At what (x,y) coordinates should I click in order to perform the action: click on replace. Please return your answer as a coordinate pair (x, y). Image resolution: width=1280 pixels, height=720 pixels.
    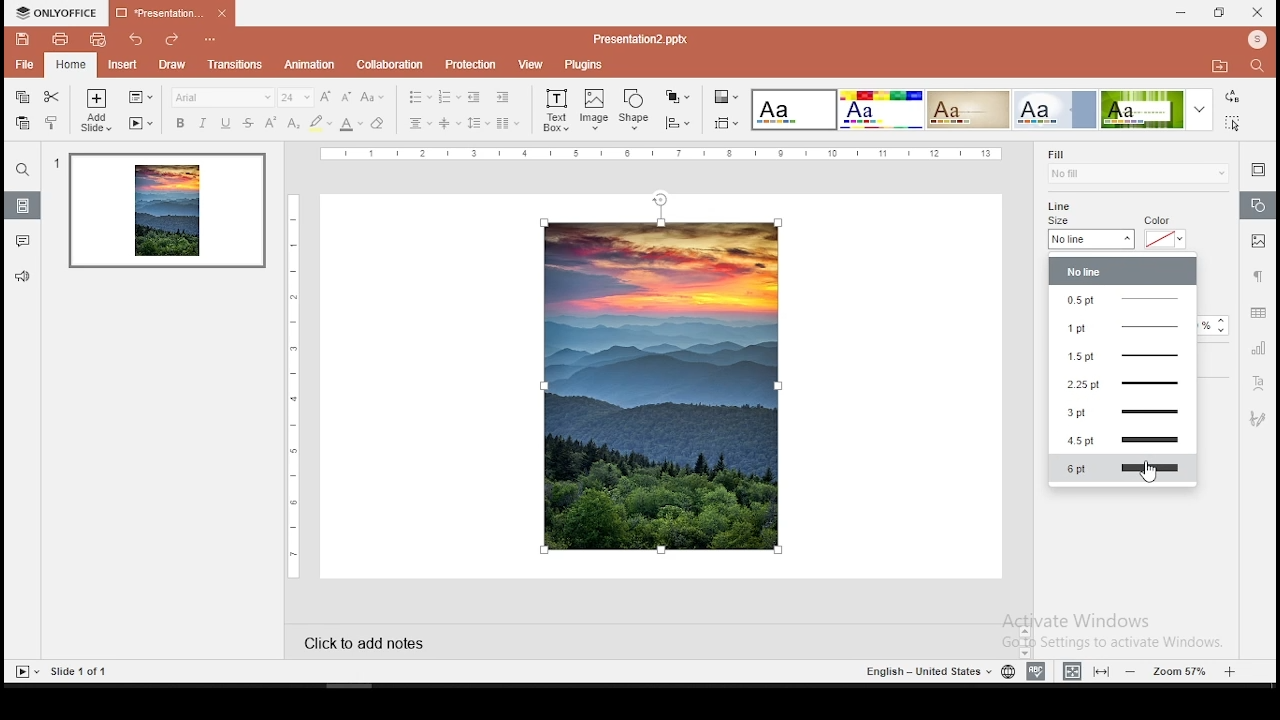
    Looking at the image, I should click on (1232, 97).